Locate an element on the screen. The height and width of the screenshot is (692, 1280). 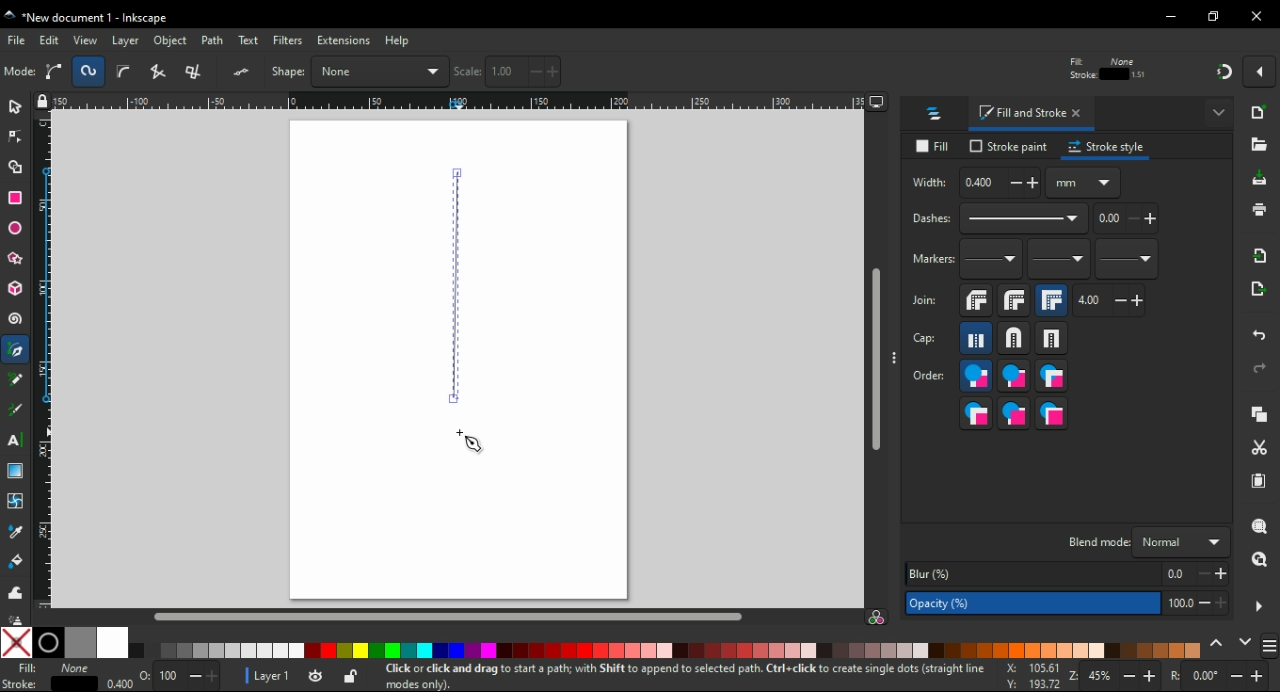
object rotate 90 CCW is located at coordinates (167, 72).